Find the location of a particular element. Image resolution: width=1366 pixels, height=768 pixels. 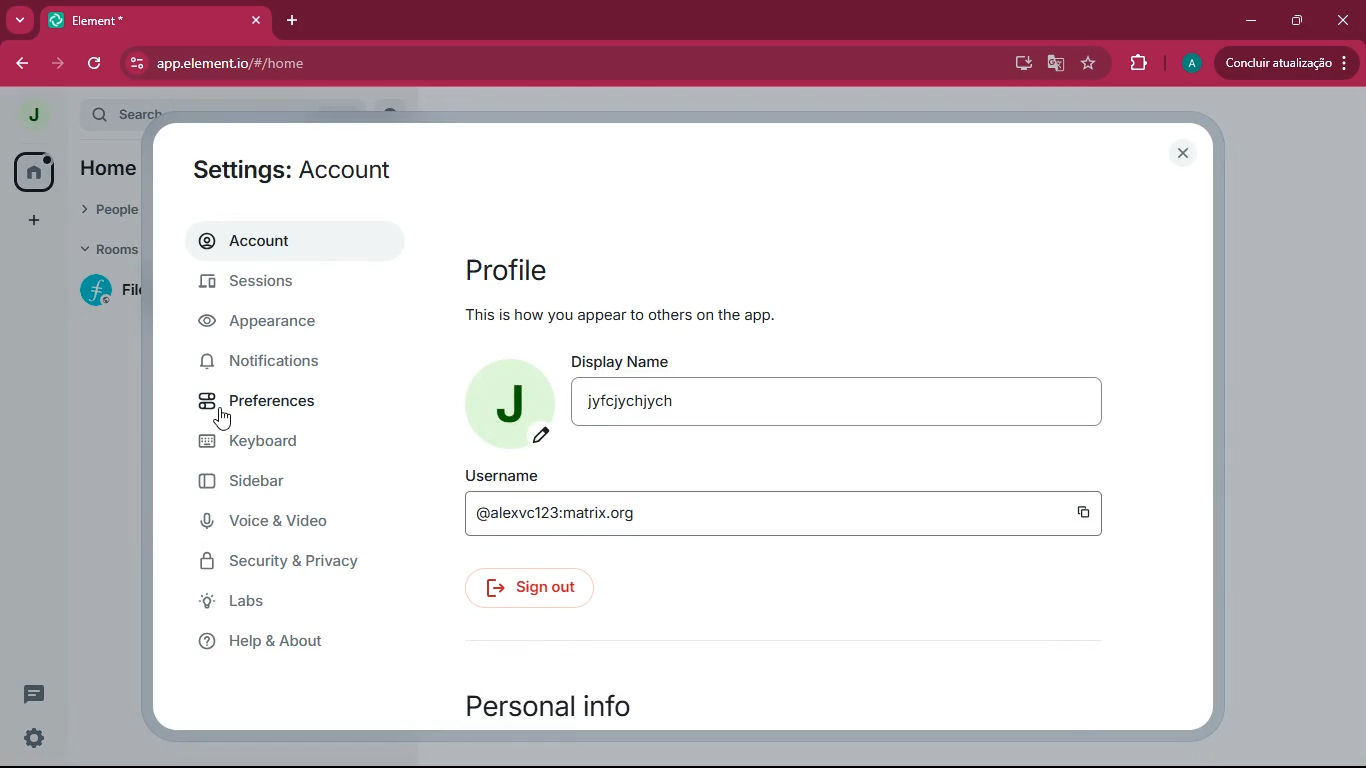

account is located at coordinates (289, 245).